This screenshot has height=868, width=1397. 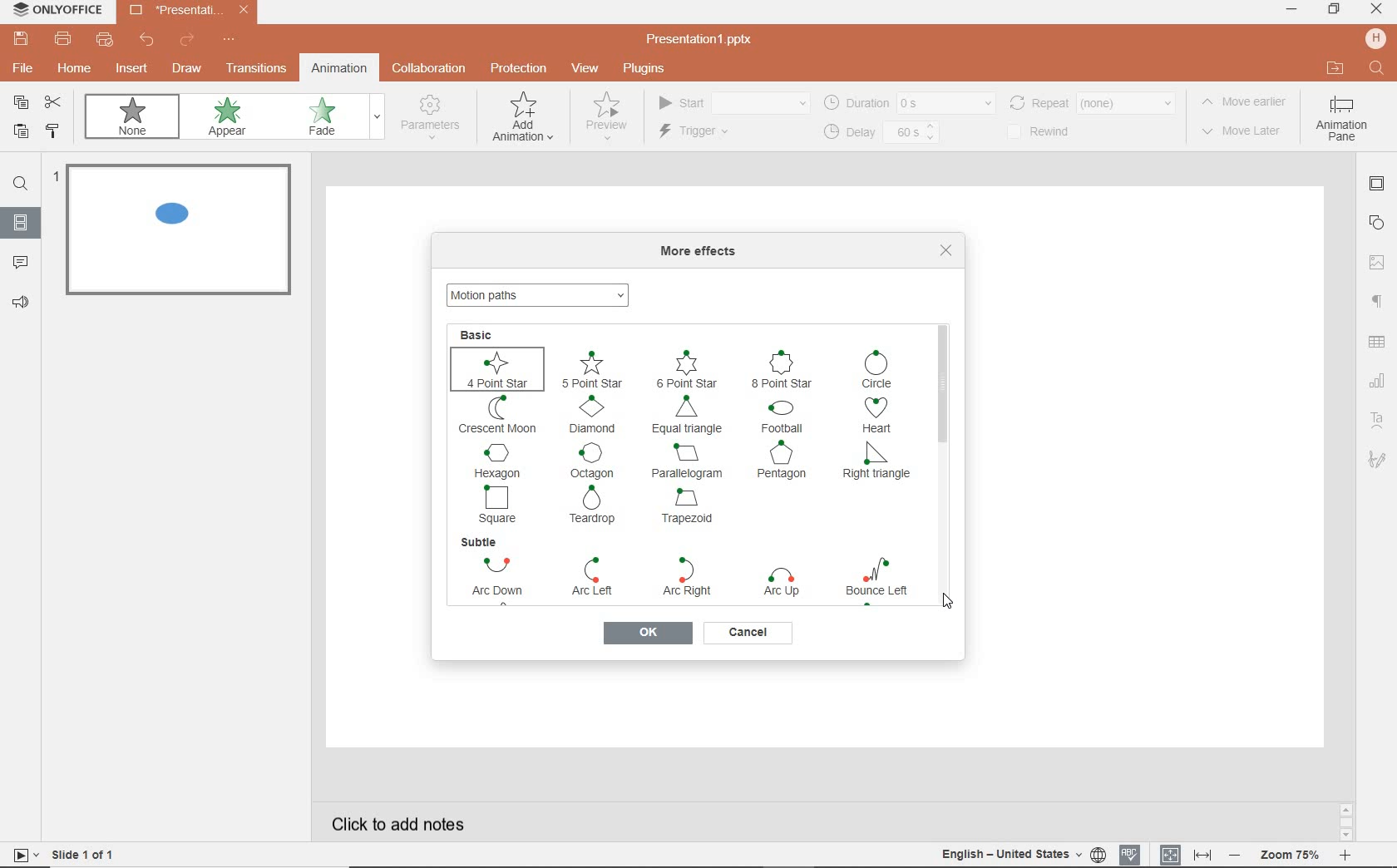 What do you see at coordinates (1335, 69) in the screenshot?
I see `OPEN FILE LOCATION` at bounding box center [1335, 69].